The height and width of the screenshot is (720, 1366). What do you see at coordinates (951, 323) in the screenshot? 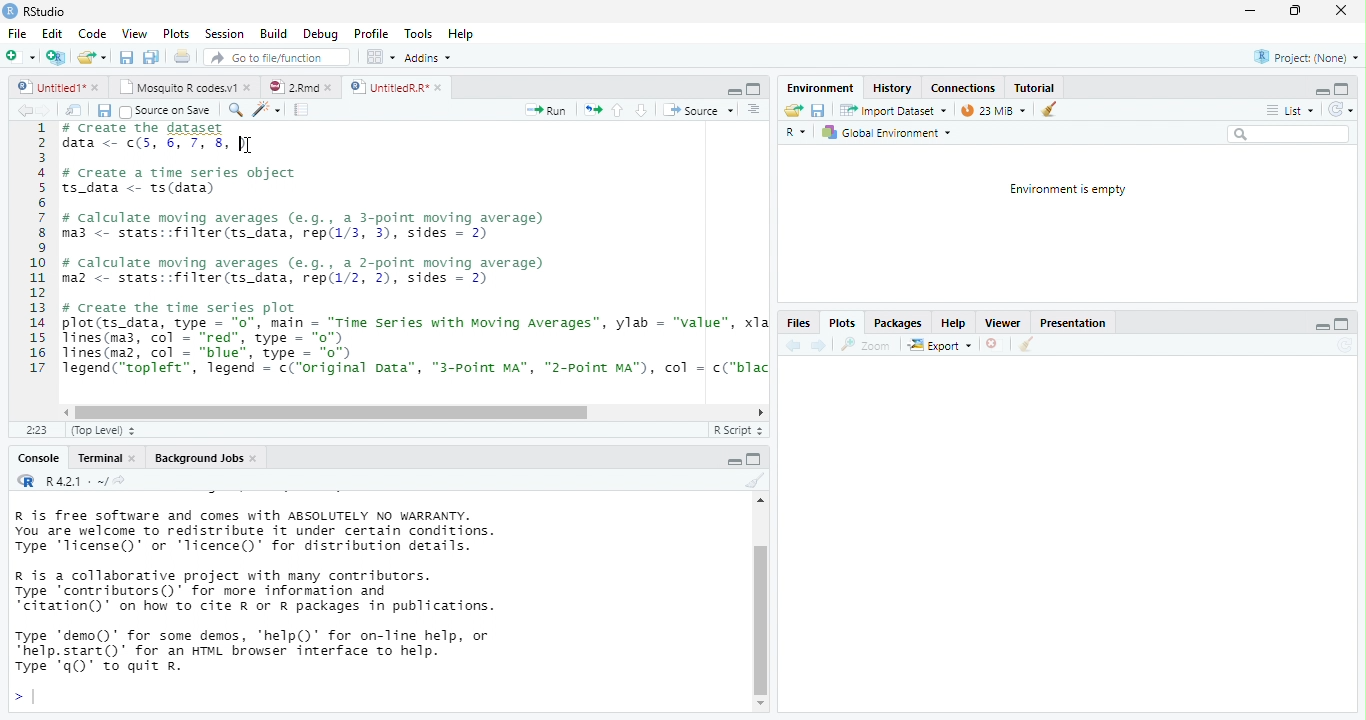
I see `Help` at bounding box center [951, 323].